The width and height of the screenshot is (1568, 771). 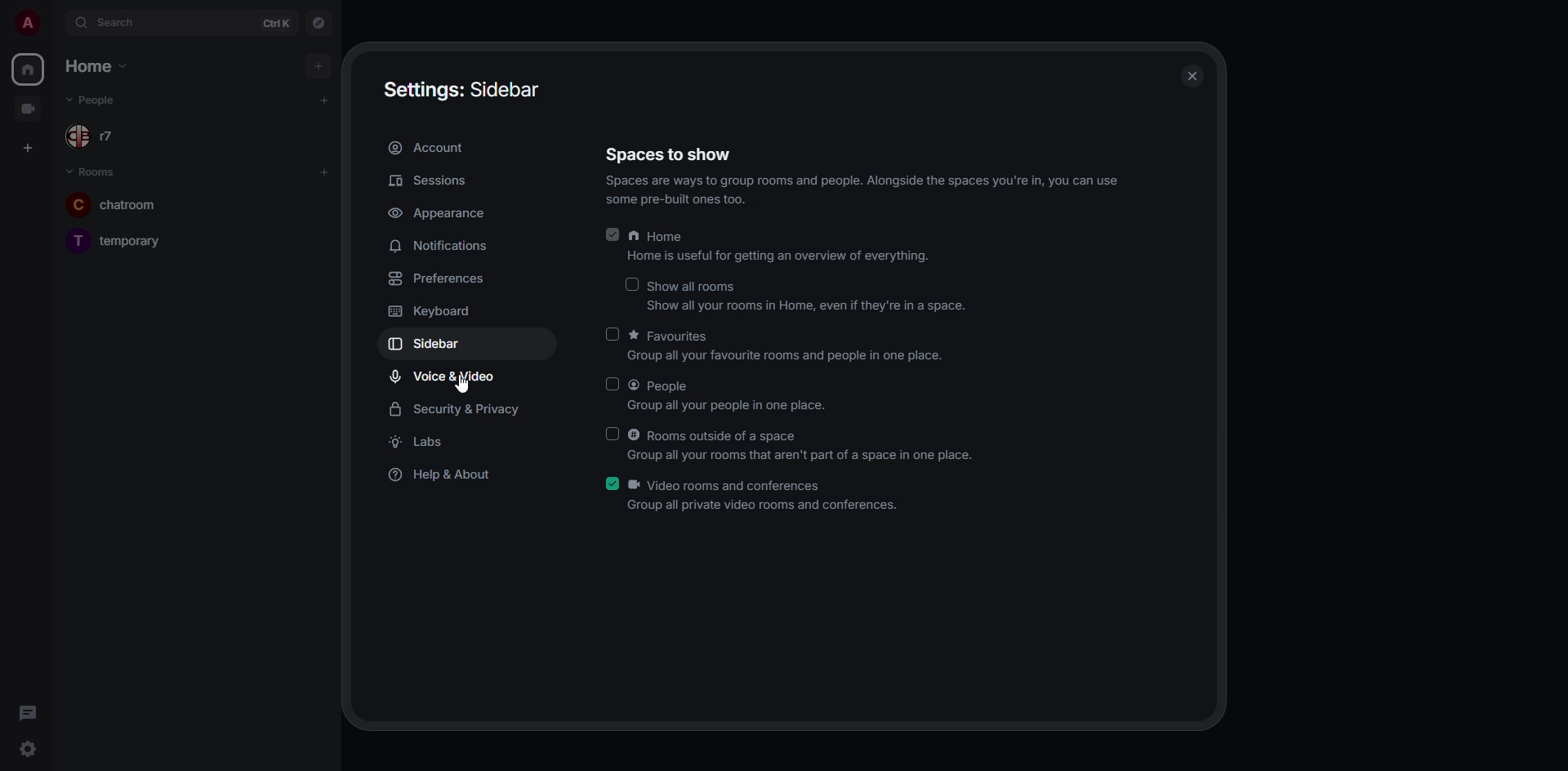 What do you see at coordinates (429, 182) in the screenshot?
I see `sessions` at bounding box center [429, 182].